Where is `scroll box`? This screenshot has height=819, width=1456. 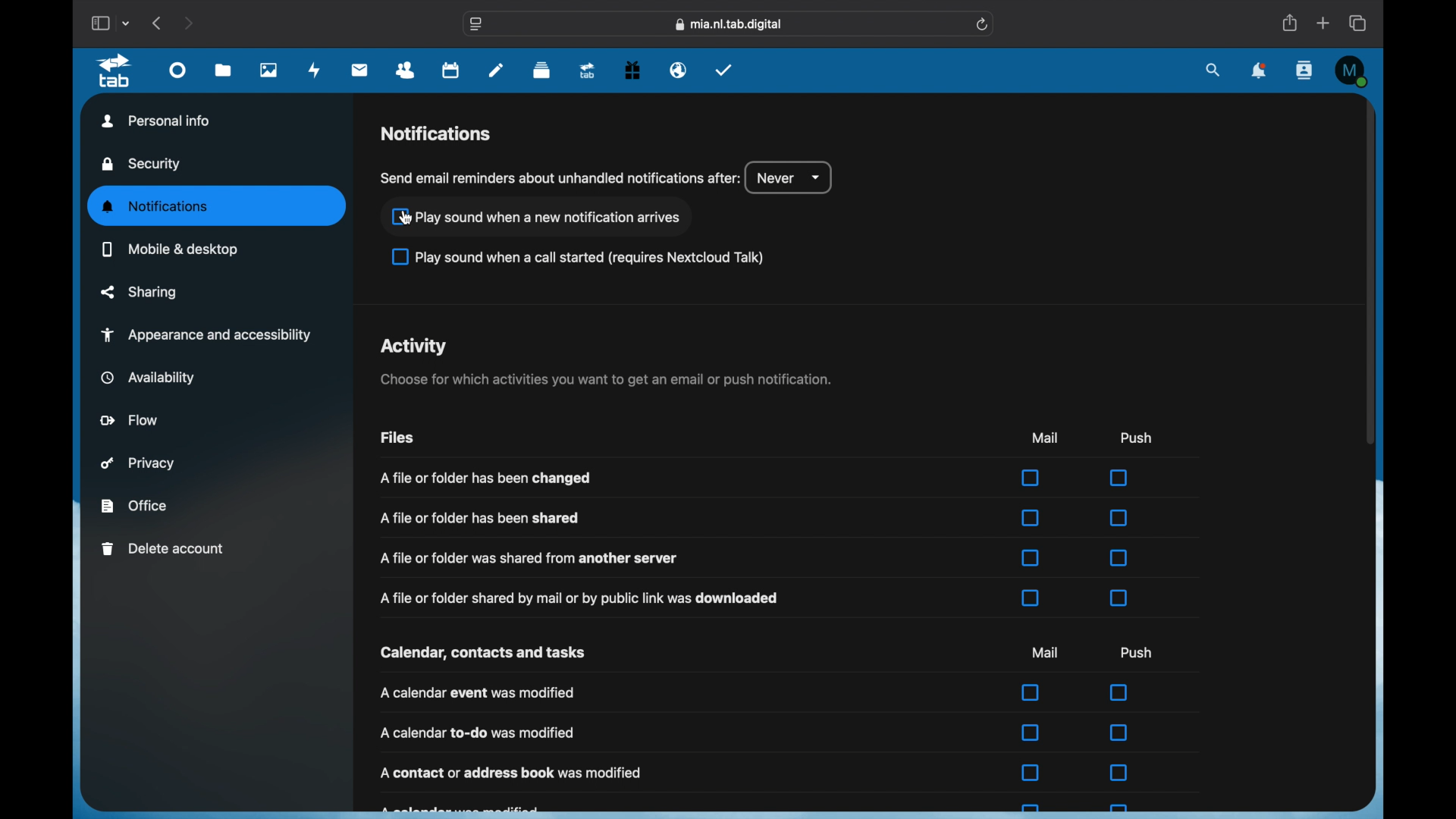 scroll box is located at coordinates (1373, 272).